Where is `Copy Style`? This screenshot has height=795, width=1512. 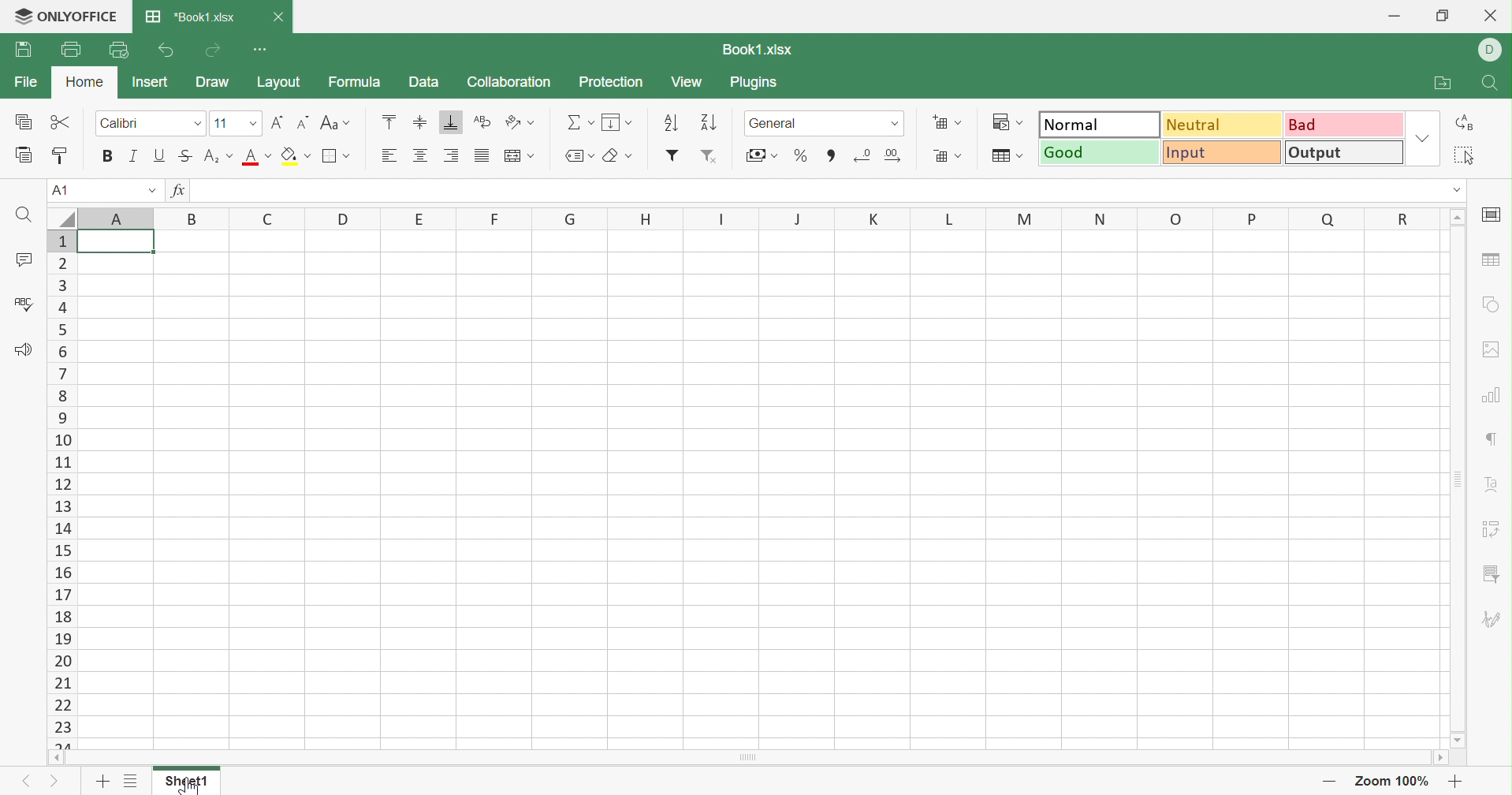 Copy Style is located at coordinates (61, 153).